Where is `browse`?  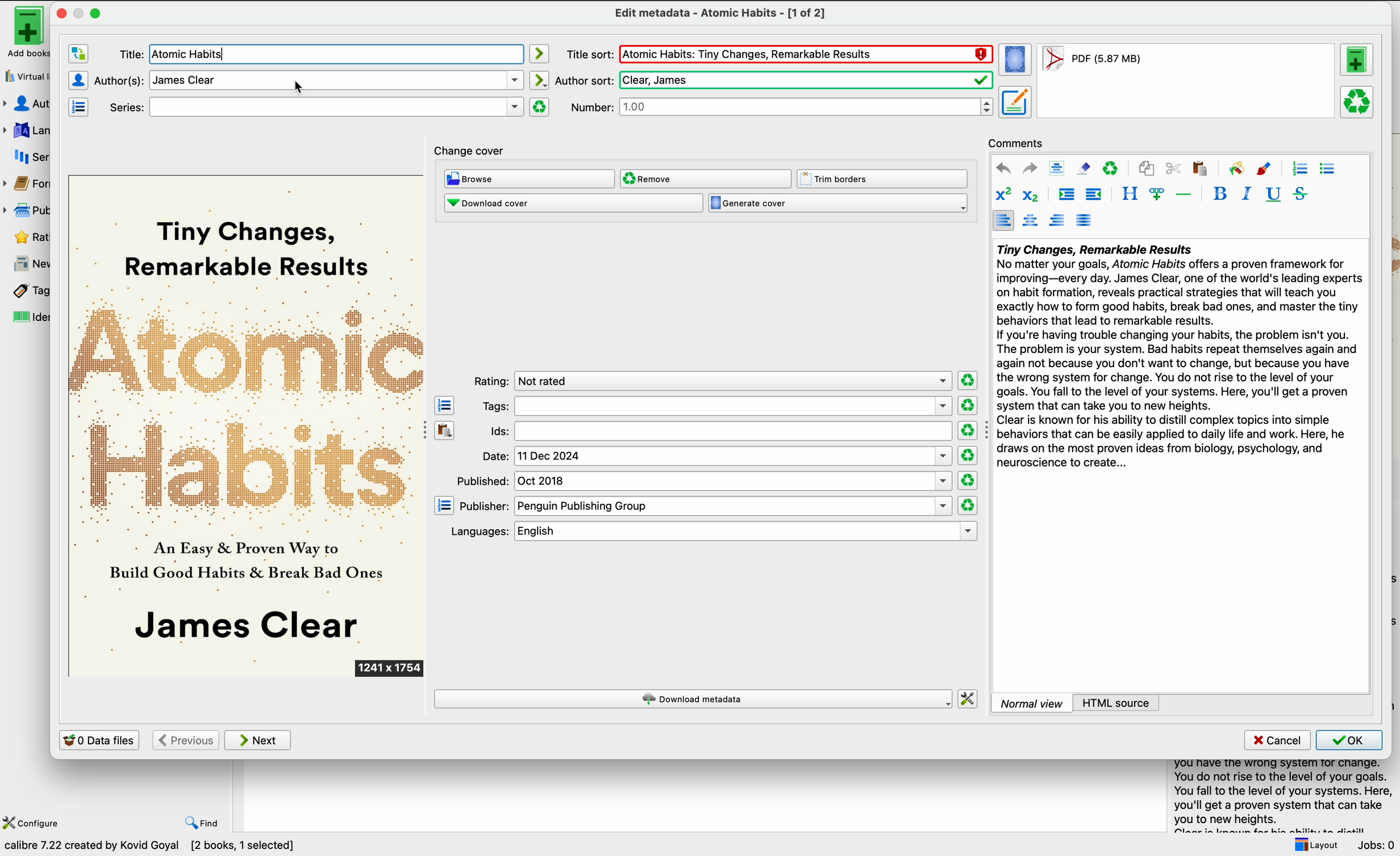
browse is located at coordinates (529, 178).